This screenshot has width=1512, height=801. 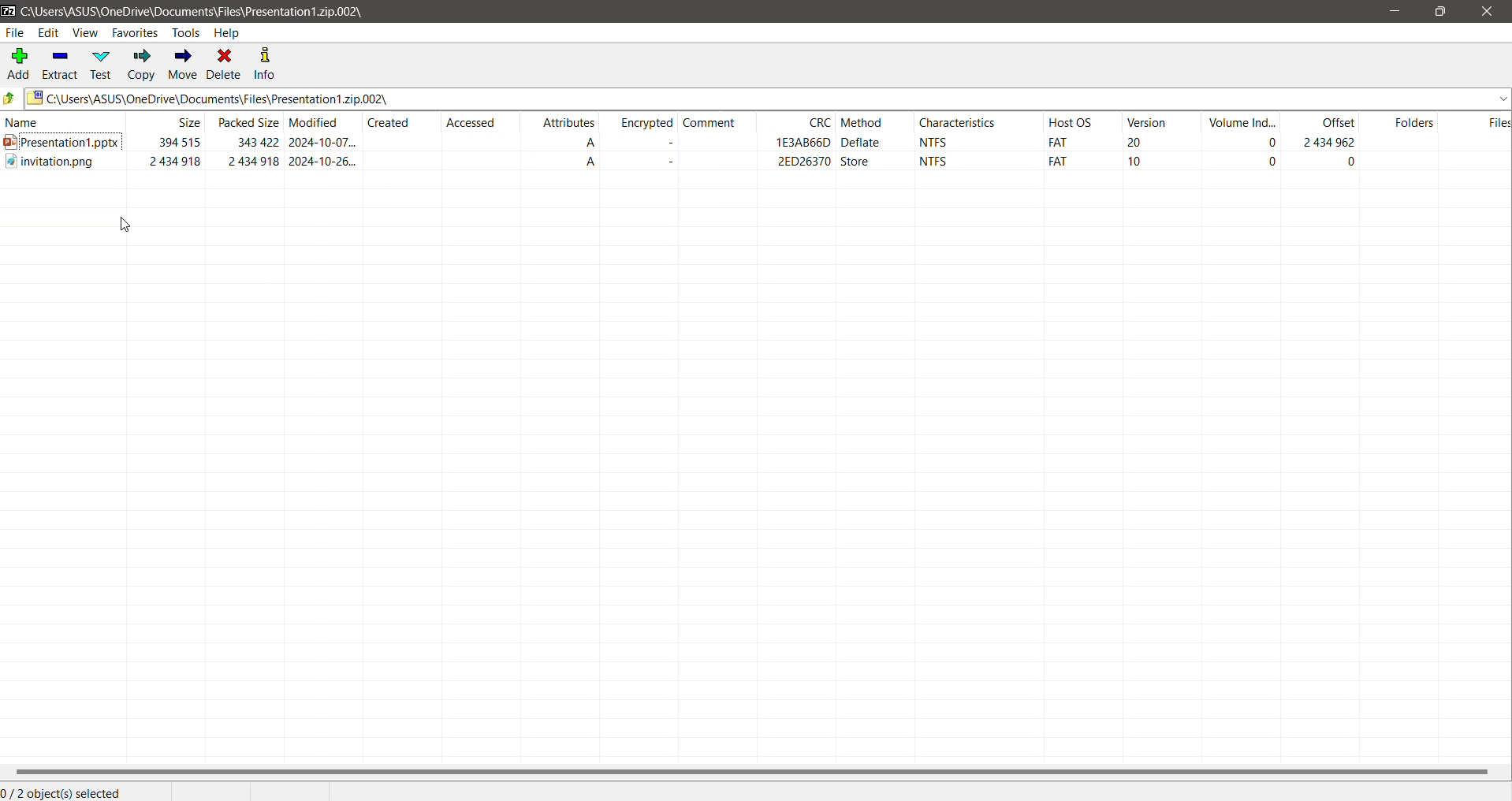 What do you see at coordinates (940, 140) in the screenshot?
I see `NTFS` at bounding box center [940, 140].